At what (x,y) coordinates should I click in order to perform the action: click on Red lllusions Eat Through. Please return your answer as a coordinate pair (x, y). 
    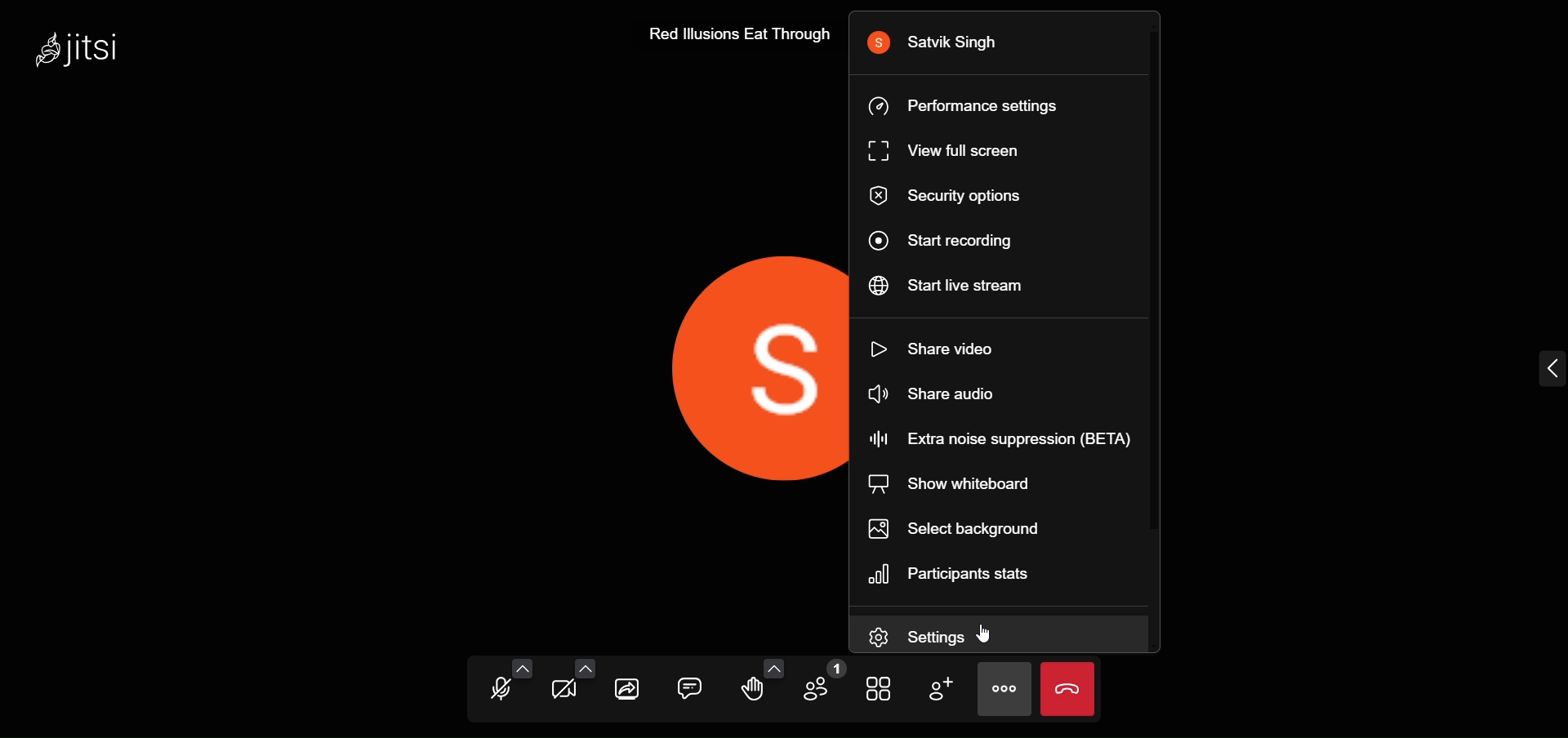
    Looking at the image, I should click on (733, 36).